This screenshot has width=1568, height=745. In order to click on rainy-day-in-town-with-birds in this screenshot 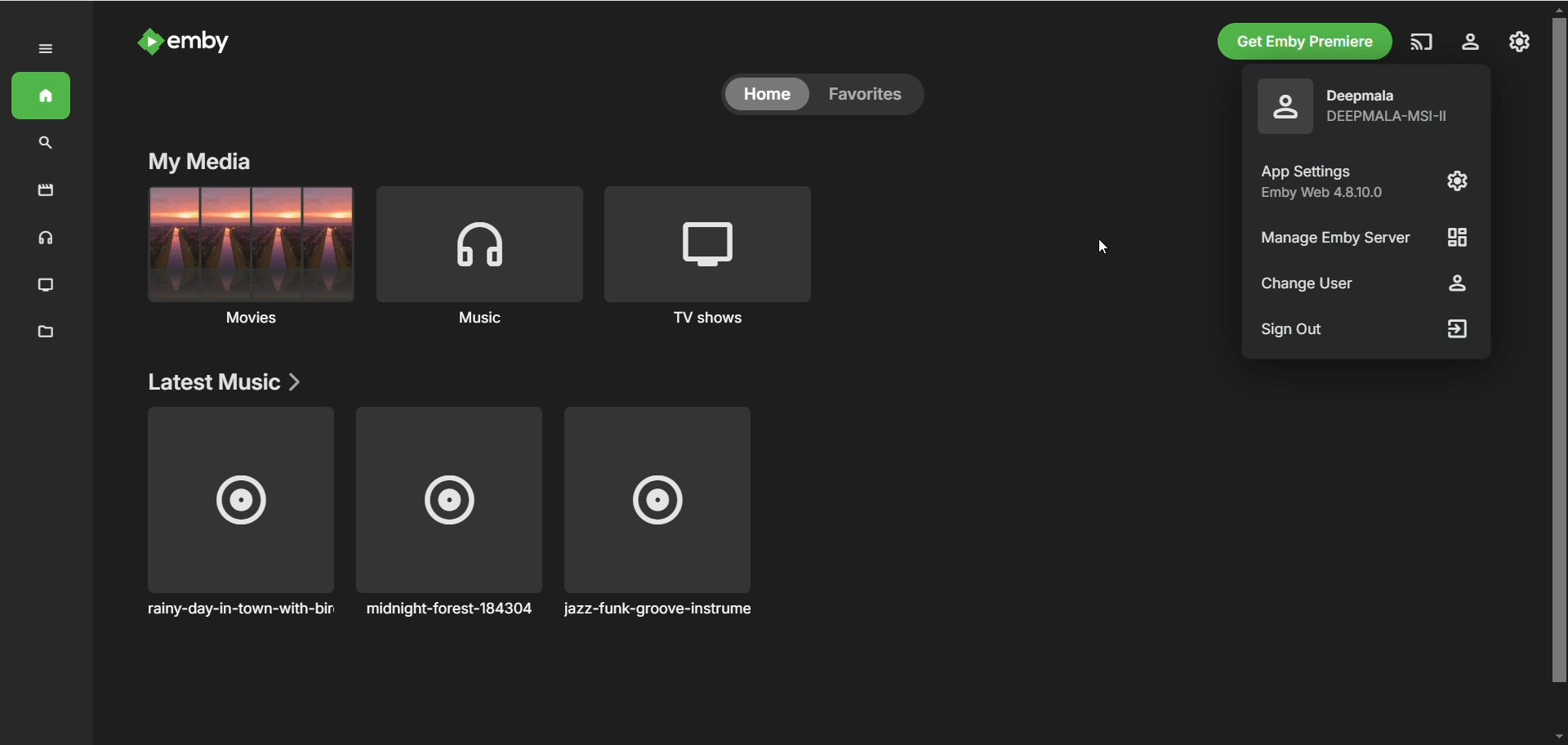, I will do `click(242, 511)`.